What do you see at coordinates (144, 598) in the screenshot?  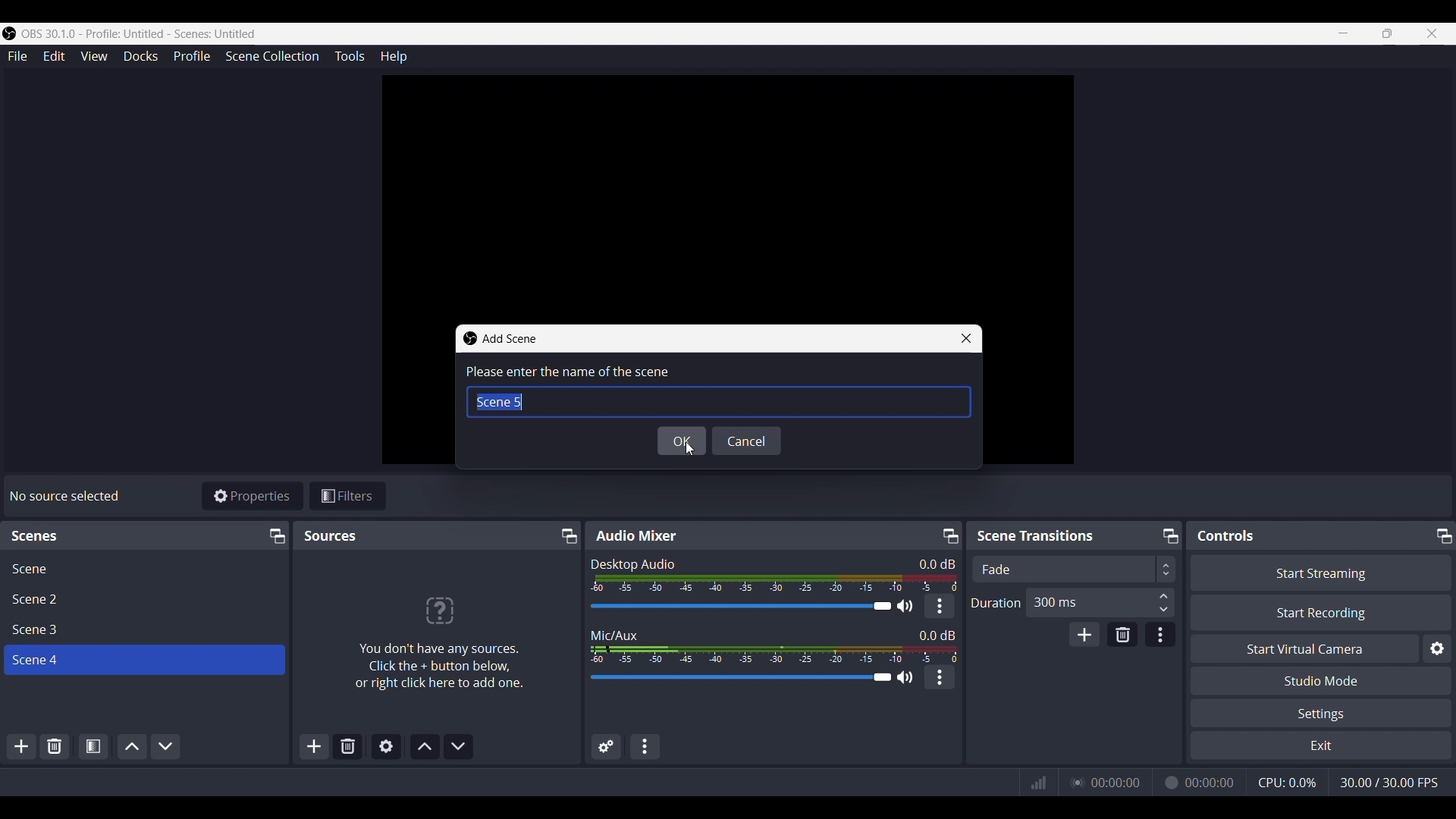 I see `Scene 2` at bounding box center [144, 598].